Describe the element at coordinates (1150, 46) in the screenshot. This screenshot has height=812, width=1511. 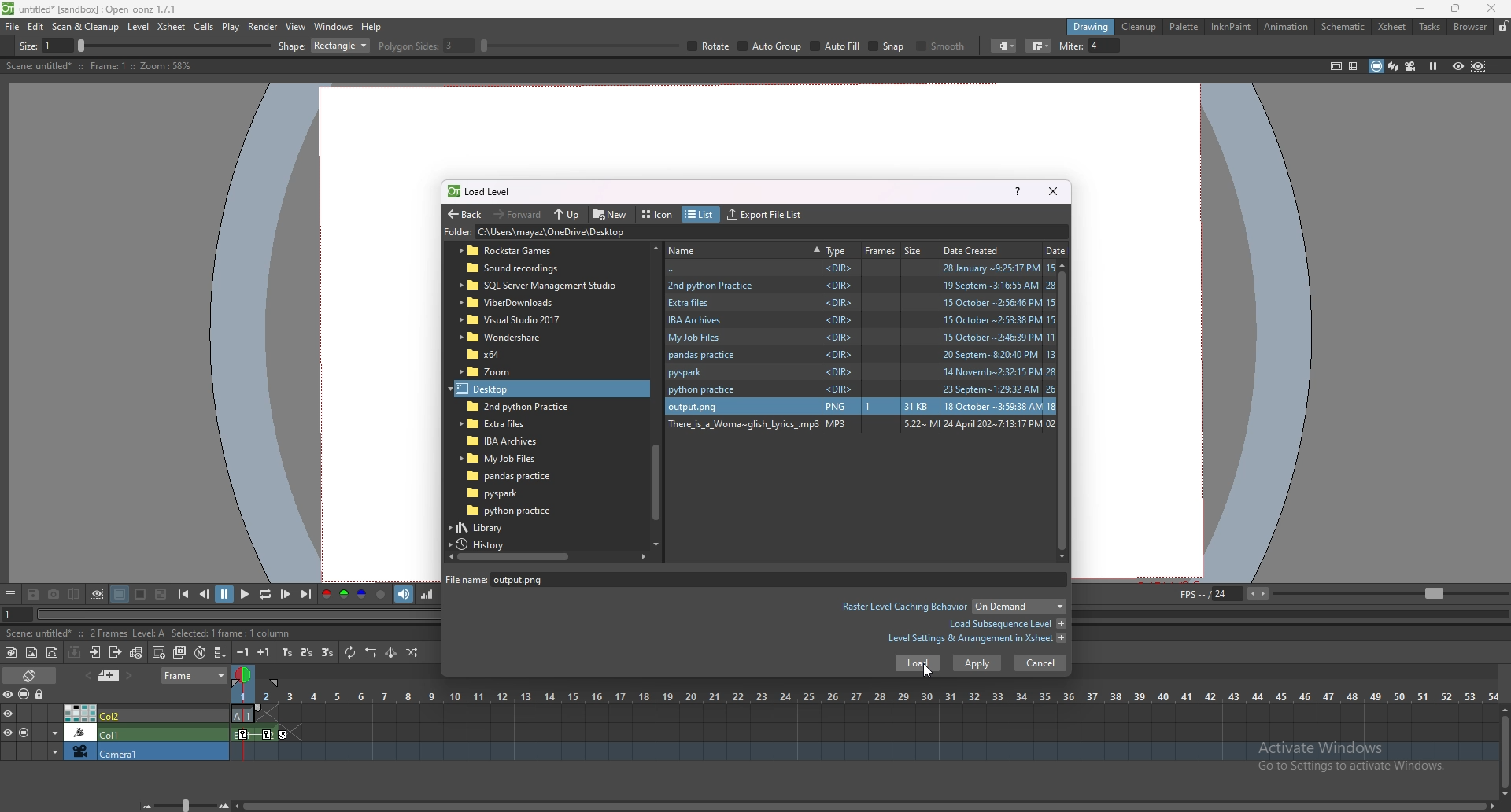
I see `pencil mode` at that location.